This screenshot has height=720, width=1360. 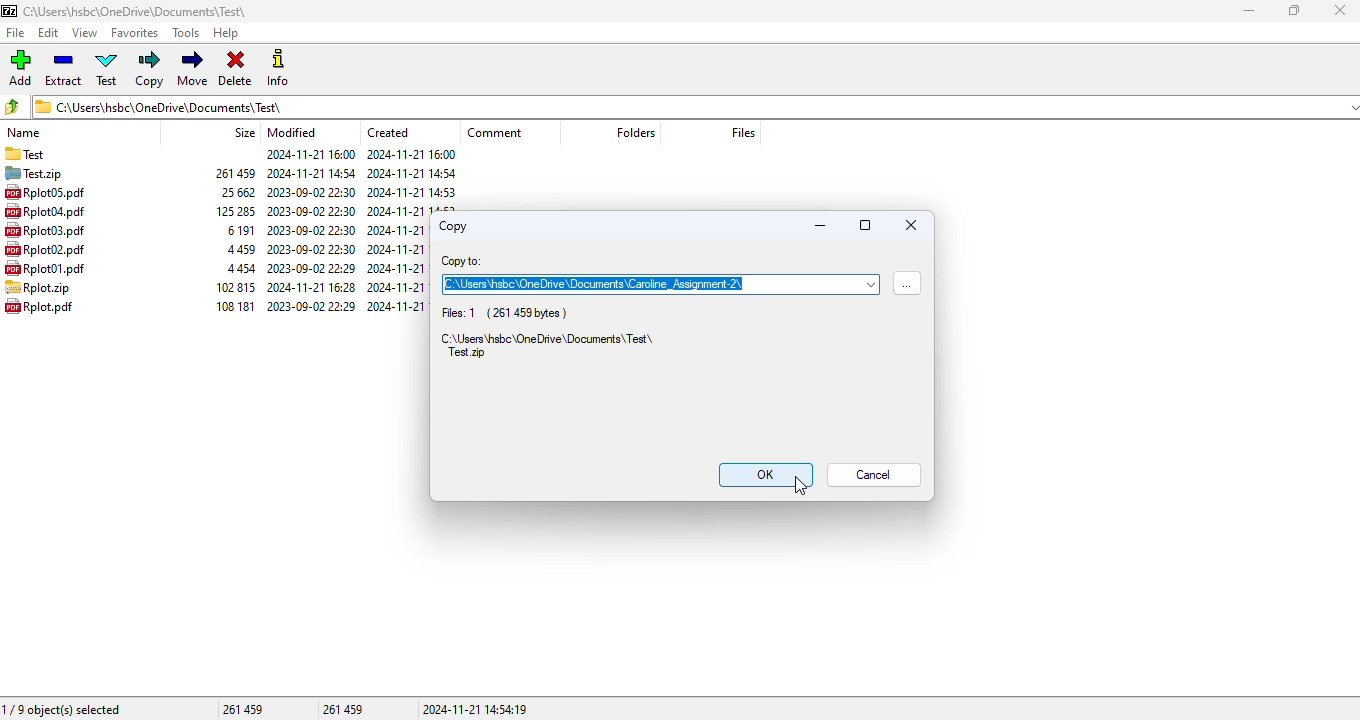 I want to click on maximize, so click(x=1292, y=10).